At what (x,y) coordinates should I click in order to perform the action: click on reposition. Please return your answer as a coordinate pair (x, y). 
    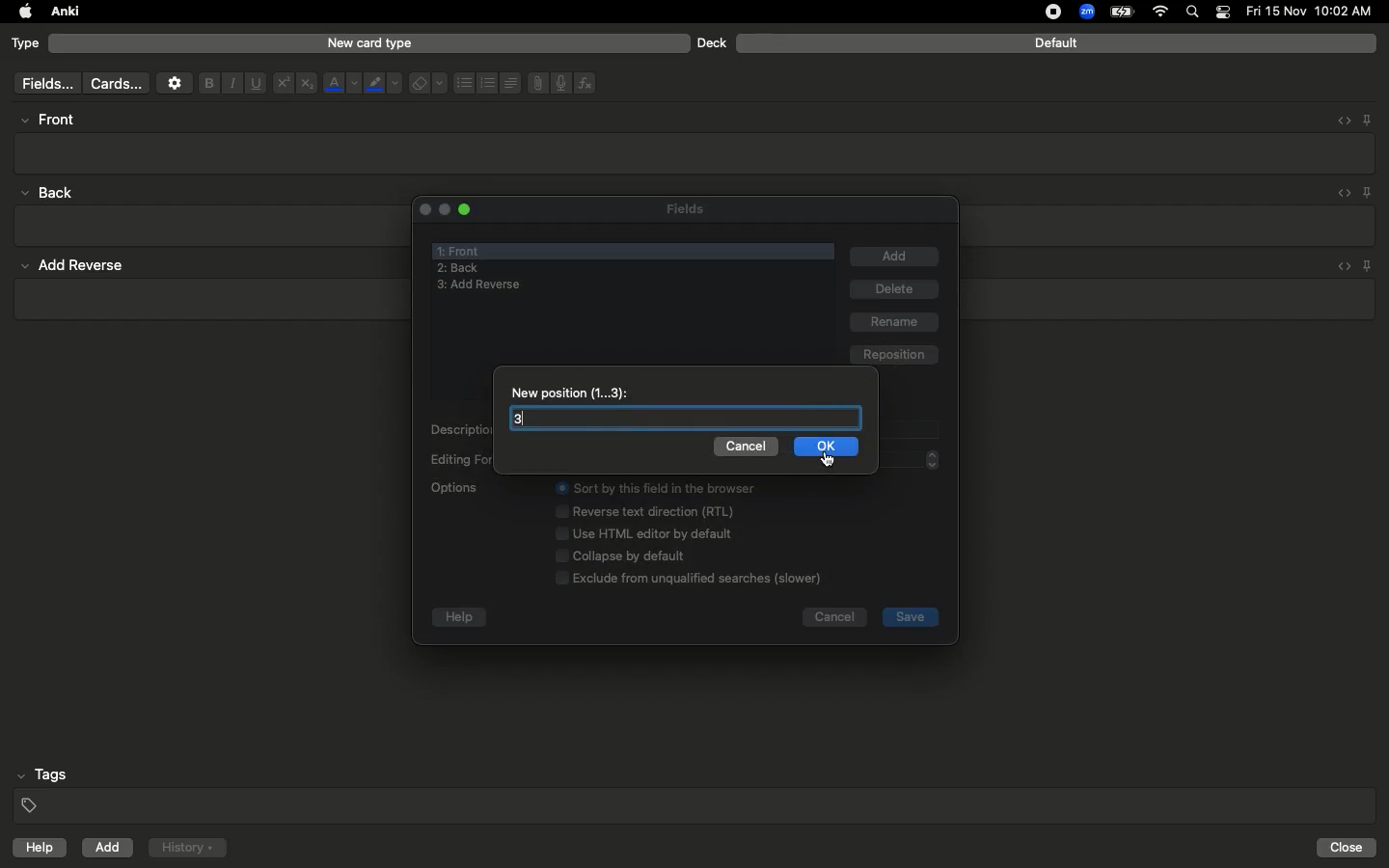
    Looking at the image, I should click on (894, 353).